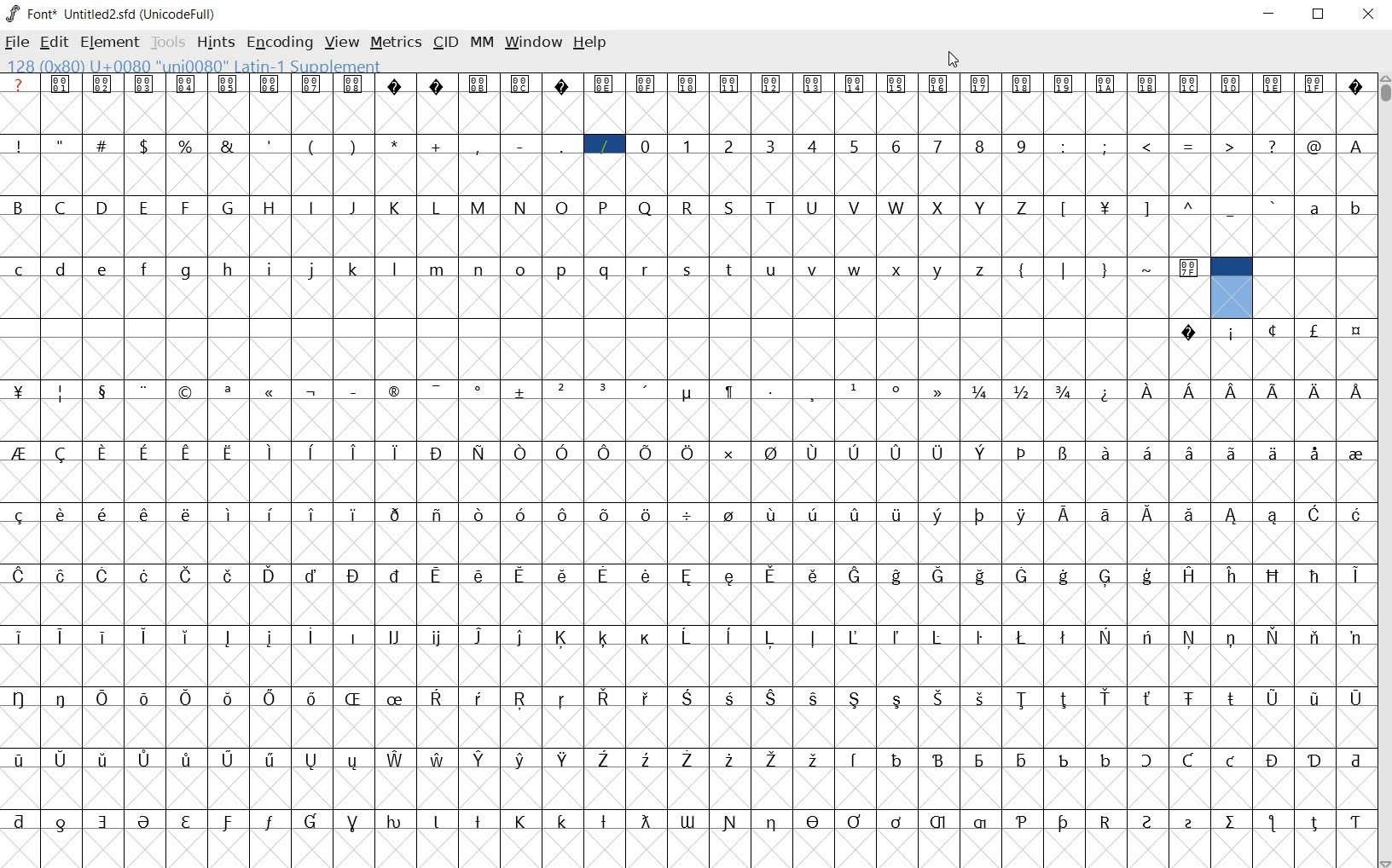  I want to click on Symbol, so click(732, 574).